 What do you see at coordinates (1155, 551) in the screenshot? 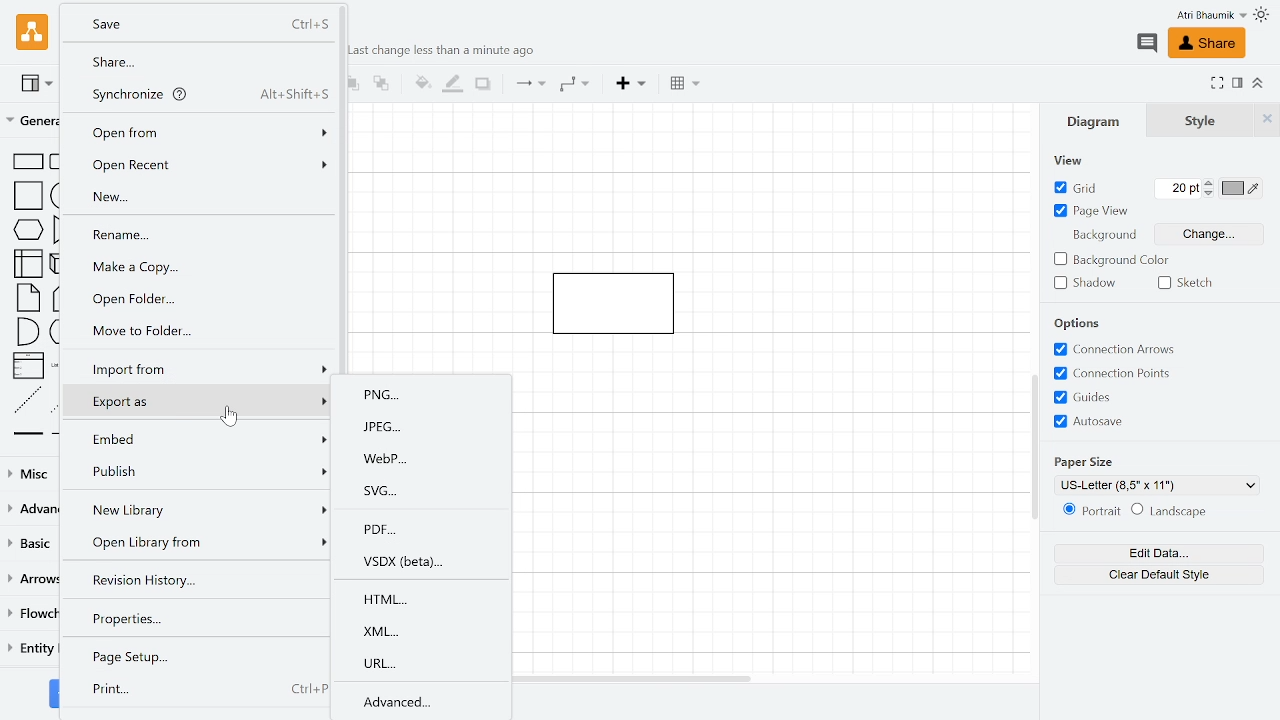
I see `Edit data` at bounding box center [1155, 551].